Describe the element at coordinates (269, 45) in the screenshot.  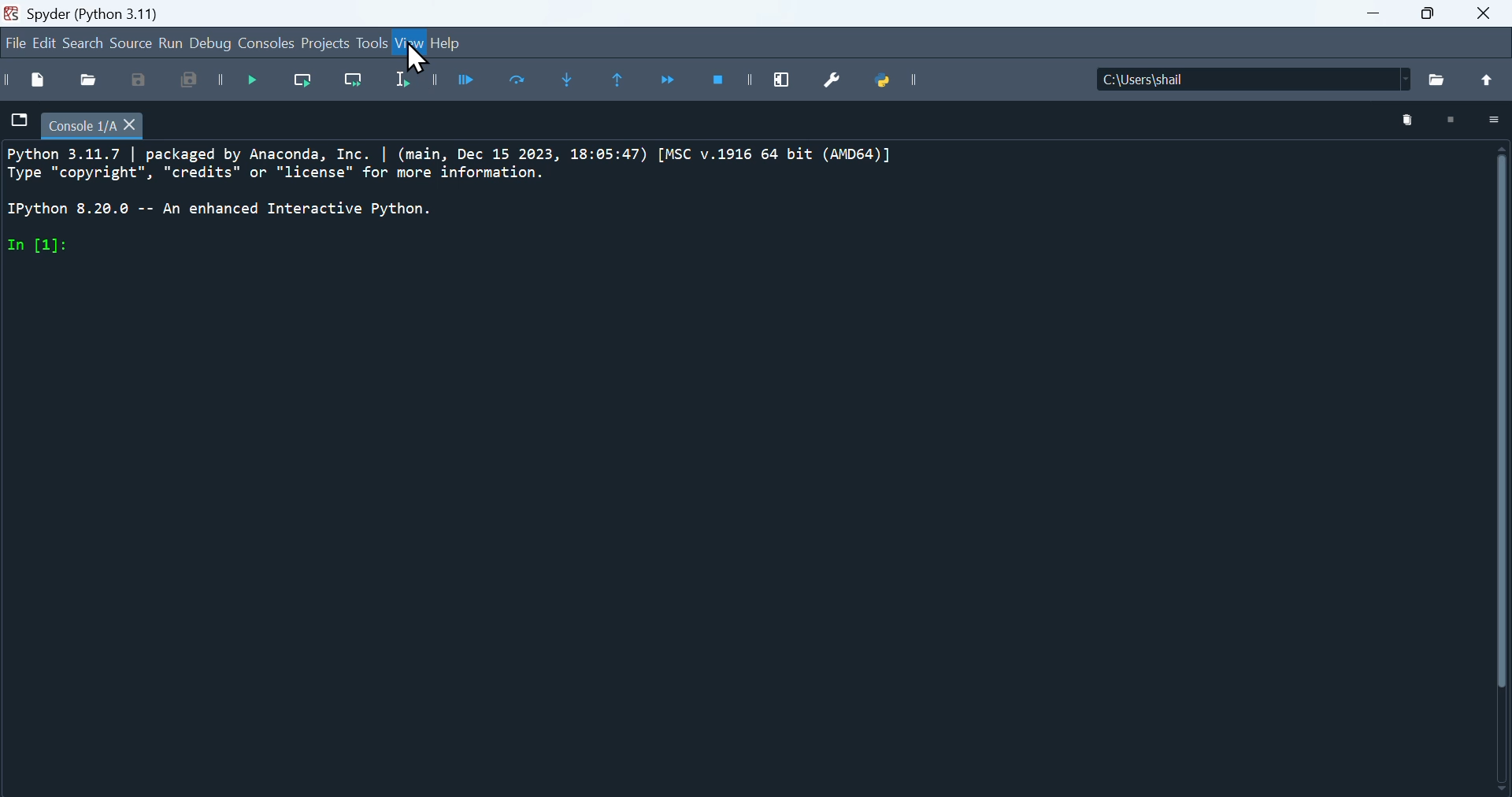
I see `Console` at that location.